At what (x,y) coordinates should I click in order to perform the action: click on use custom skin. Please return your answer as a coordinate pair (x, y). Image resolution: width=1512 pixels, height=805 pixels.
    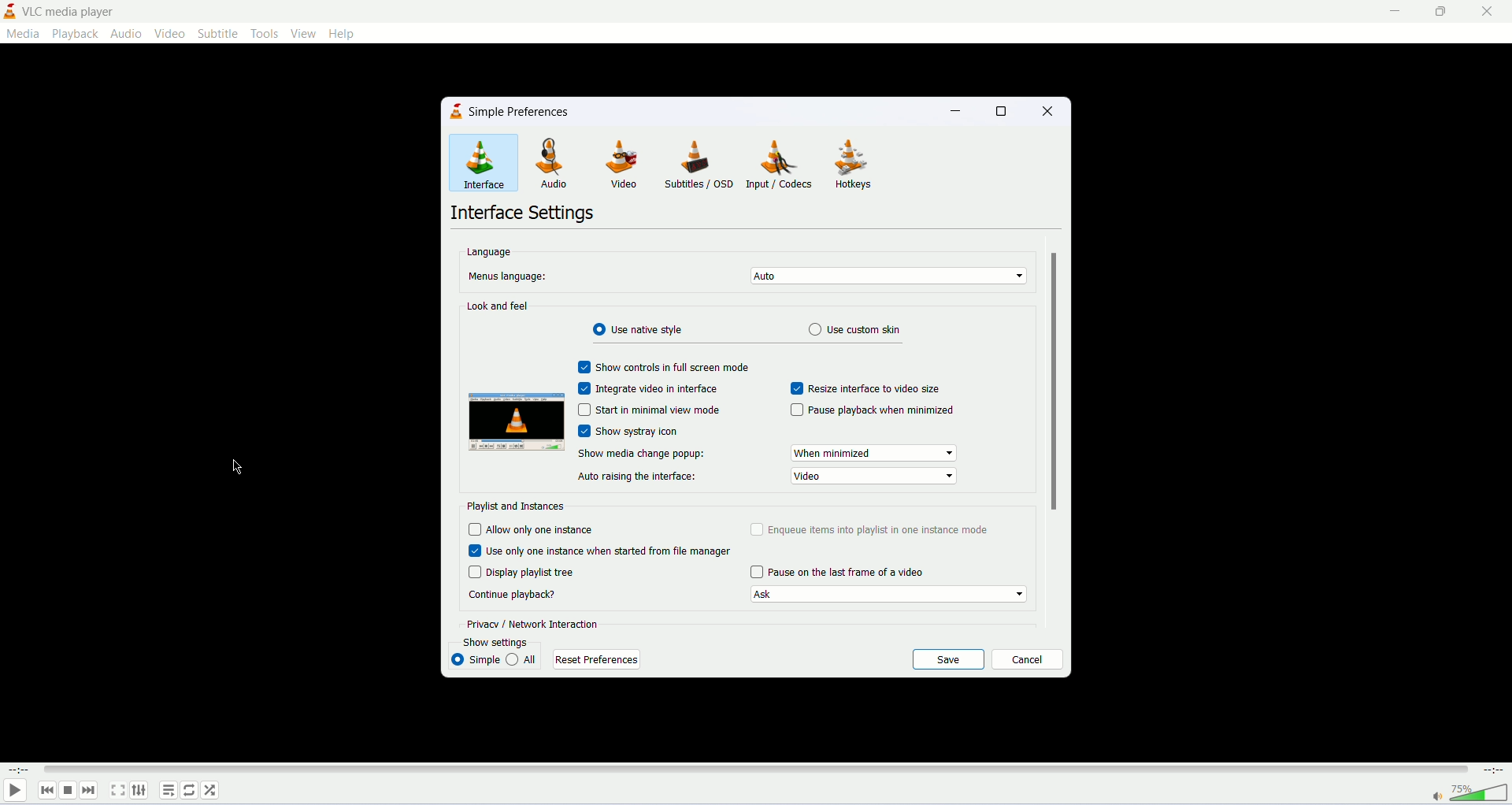
    Looking at the image, I should click on (863, 329).